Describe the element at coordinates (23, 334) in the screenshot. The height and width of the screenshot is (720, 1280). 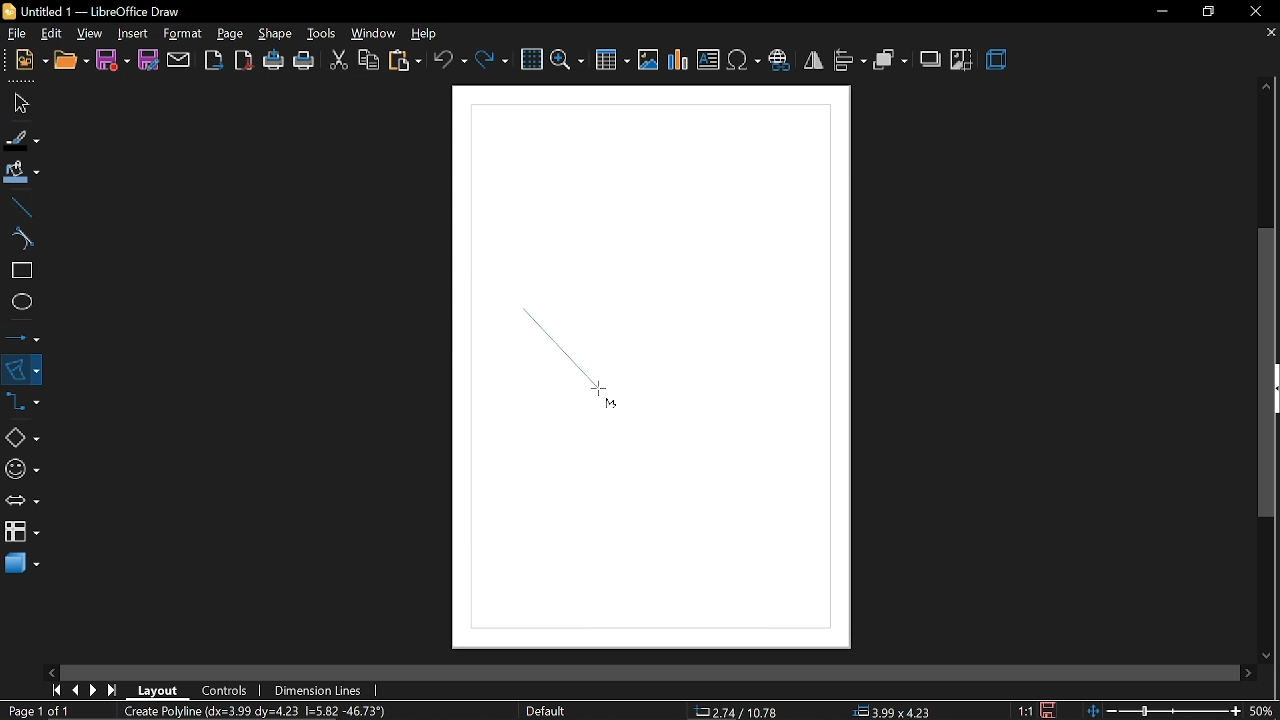
I see `lines and arrows` at that location.